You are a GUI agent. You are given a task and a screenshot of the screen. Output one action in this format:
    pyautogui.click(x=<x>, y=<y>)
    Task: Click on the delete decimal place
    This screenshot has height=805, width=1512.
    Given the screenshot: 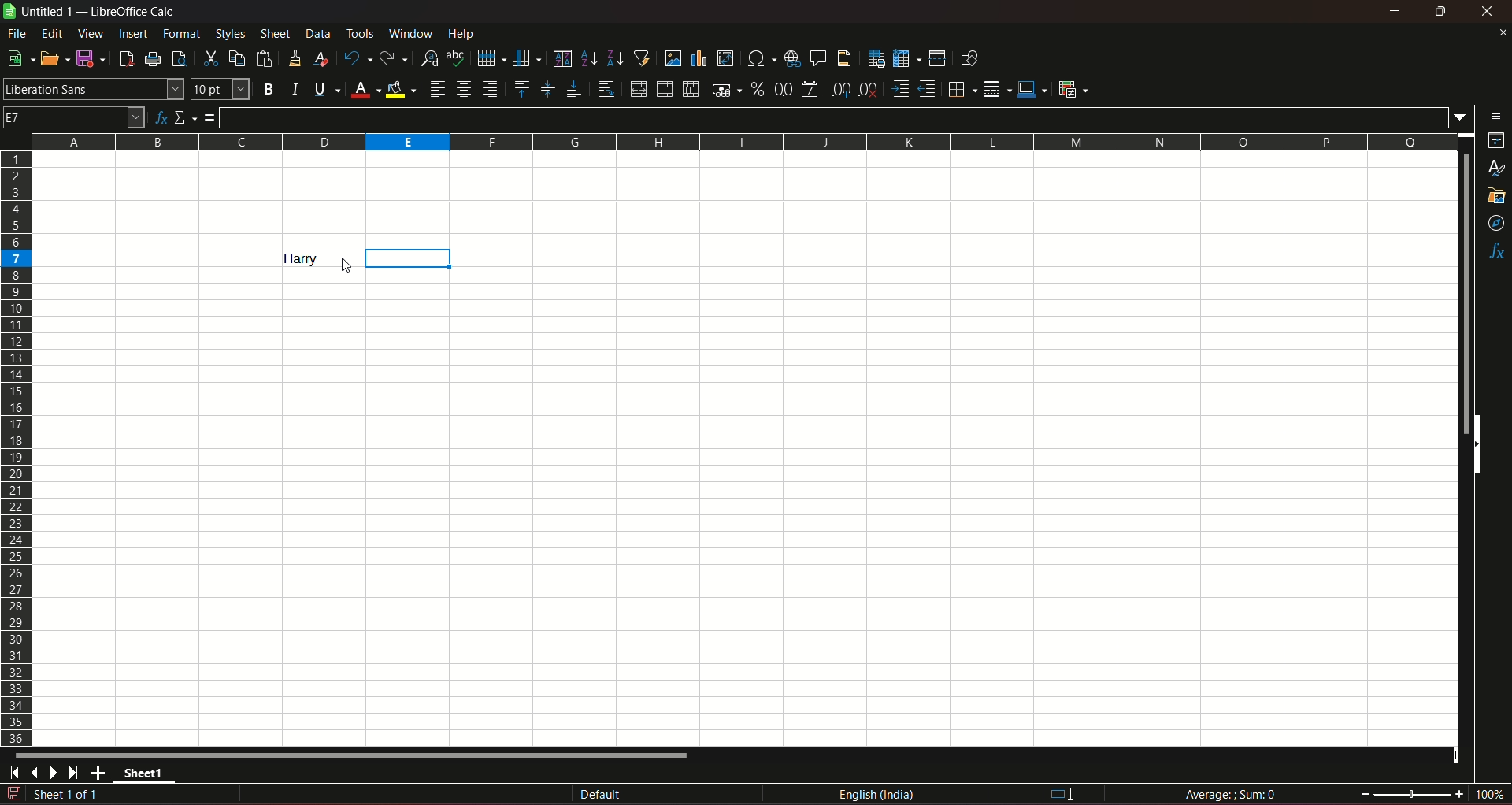 What is the action you would take?
    pyautogui.click(x=868, y=91)
    